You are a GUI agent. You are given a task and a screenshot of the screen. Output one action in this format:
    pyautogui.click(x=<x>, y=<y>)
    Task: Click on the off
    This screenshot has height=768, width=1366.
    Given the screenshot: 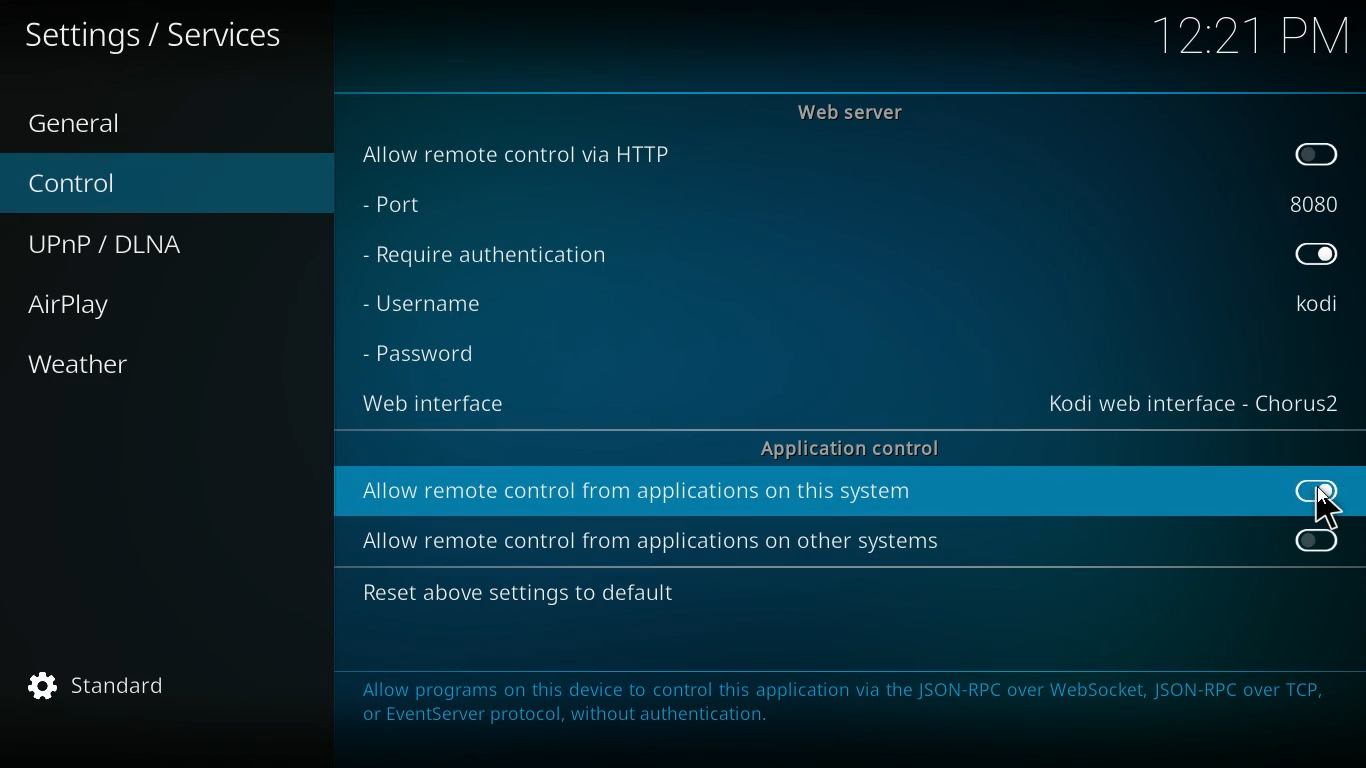 What is the action you would take?
    pyautogui.click(x=1317, y=543)
    